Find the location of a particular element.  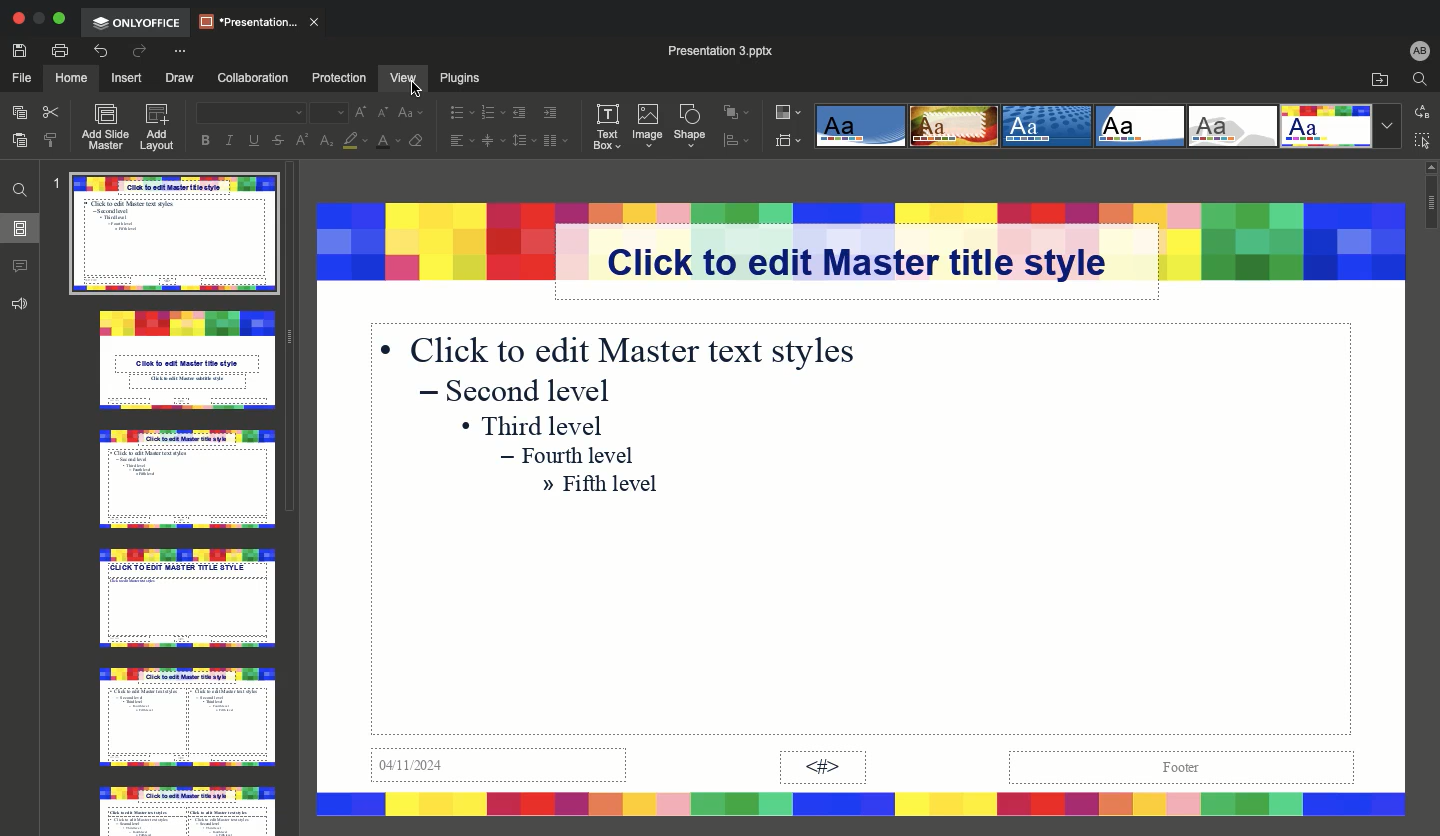

Undo is located at coordinates (102, 51).